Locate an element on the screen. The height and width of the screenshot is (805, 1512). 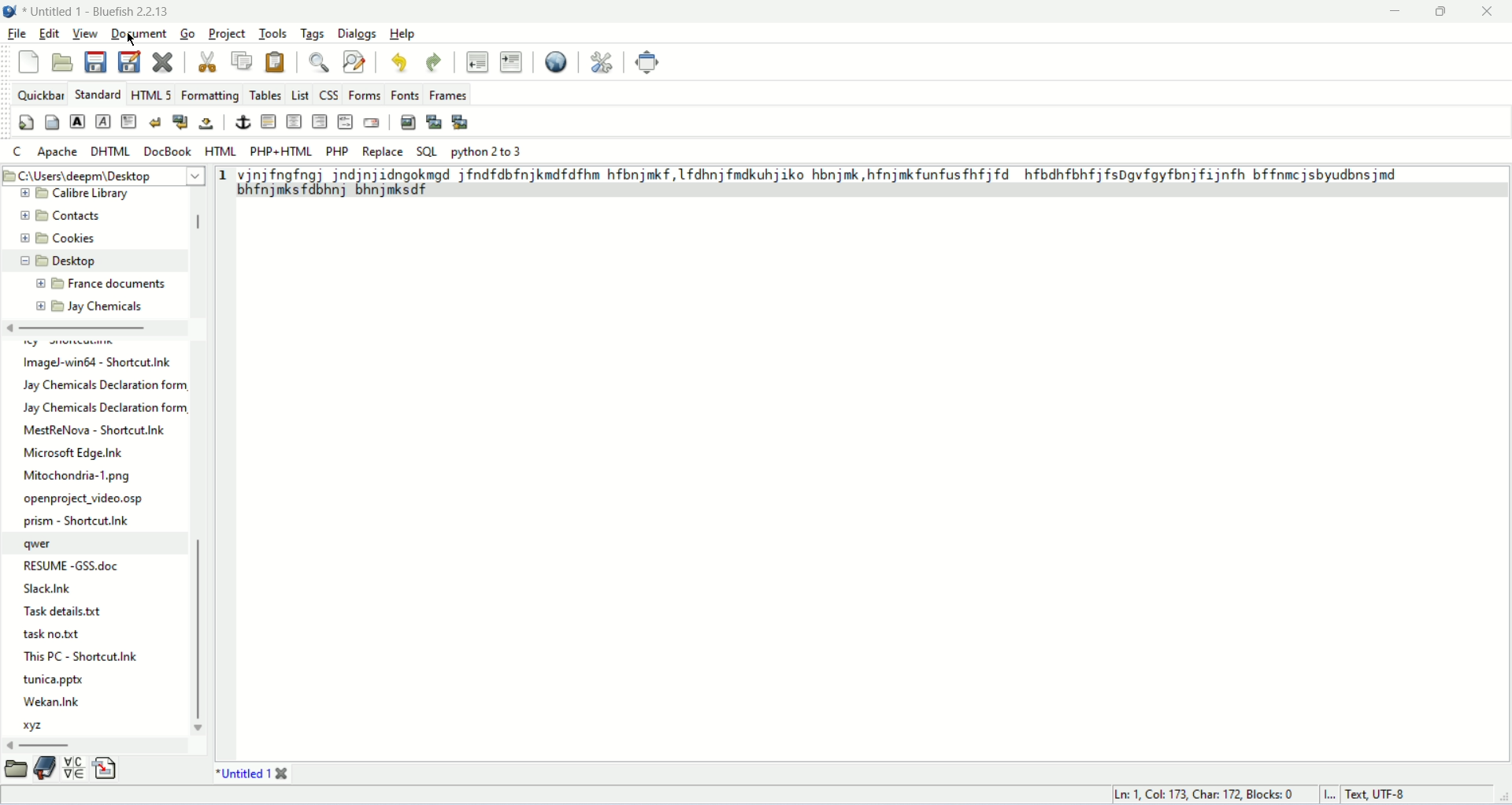
Apache is located at coordinates (57, 152).